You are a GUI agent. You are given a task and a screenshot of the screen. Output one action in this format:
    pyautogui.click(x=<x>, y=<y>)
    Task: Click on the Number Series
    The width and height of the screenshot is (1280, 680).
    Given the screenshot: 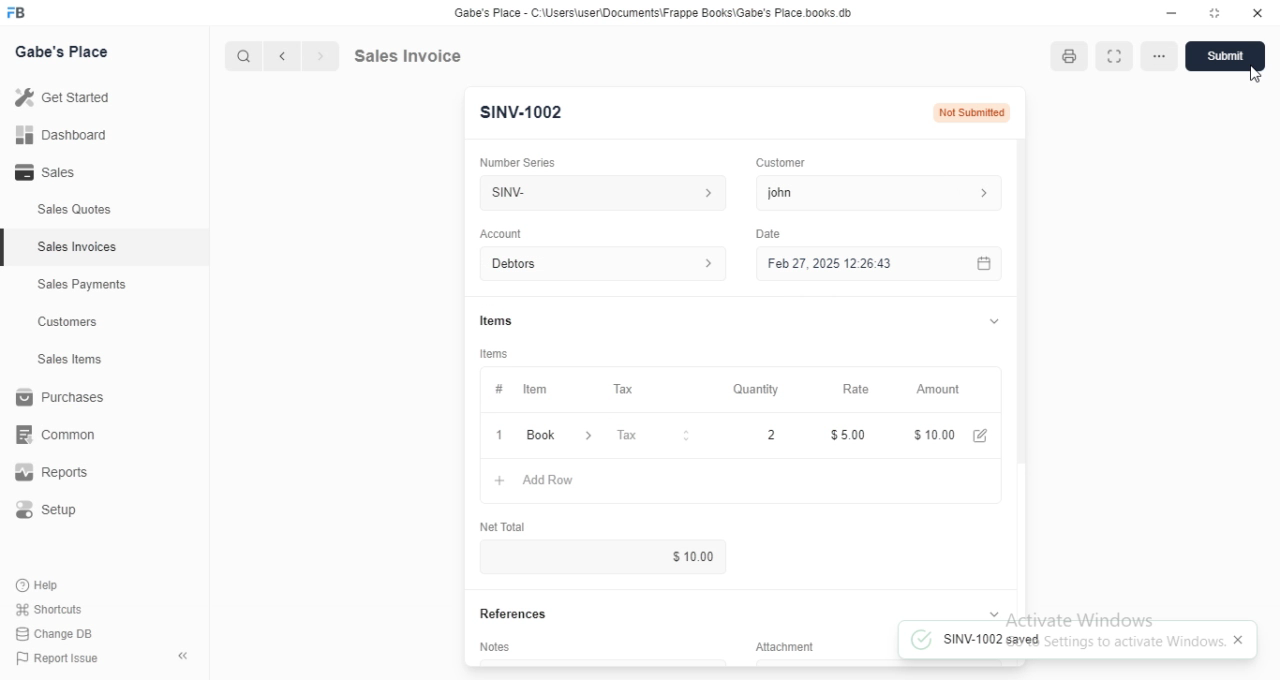 What is the action you would take?
    pyautogui.click(x=525, y=160)
    